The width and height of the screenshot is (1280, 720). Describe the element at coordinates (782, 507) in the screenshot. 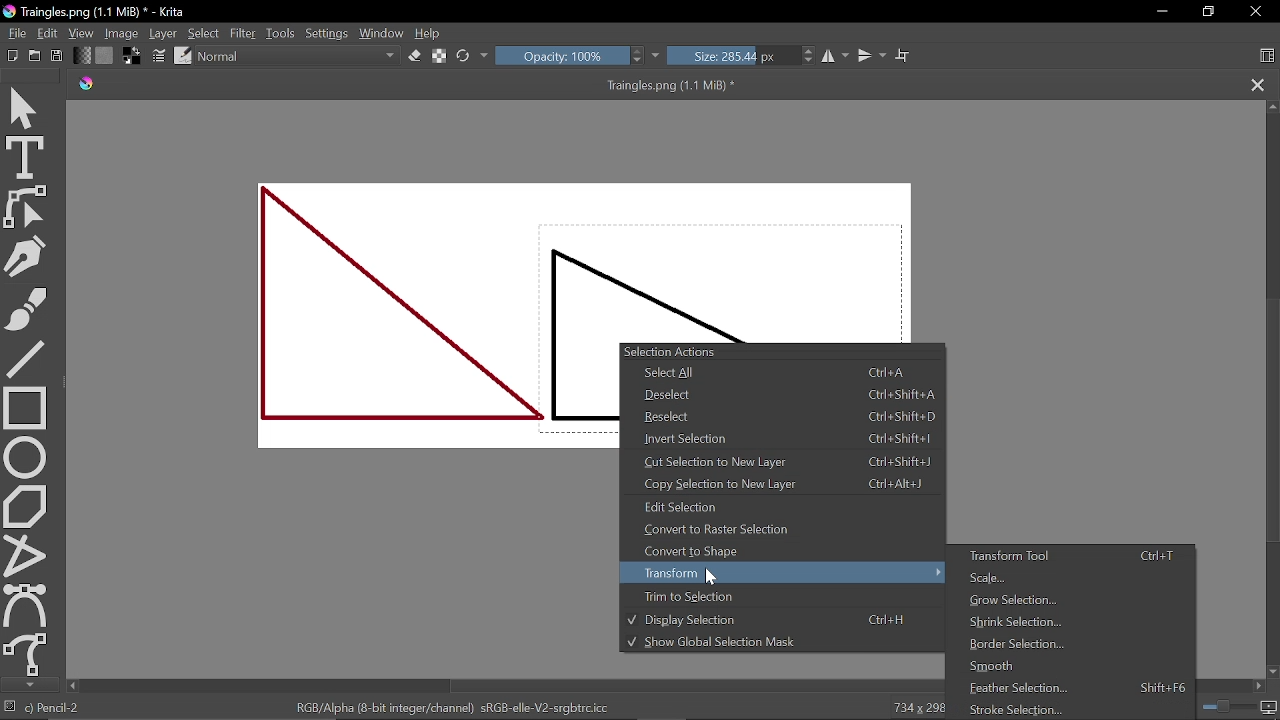

I see `Edit selection` at that location.